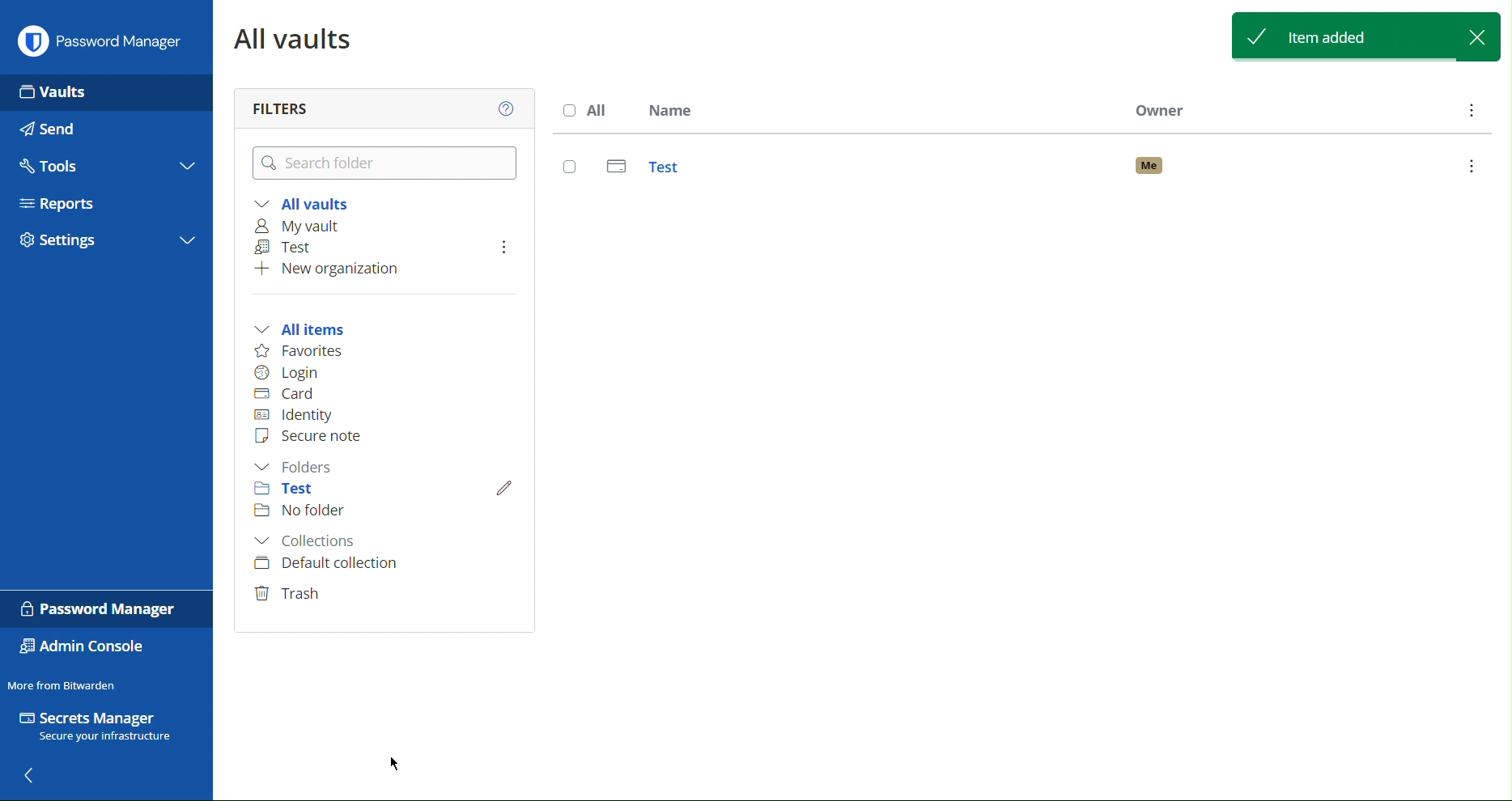 The height and width of the screenshot is (801, 1512). I want to click on New organization, so click(337, 269).